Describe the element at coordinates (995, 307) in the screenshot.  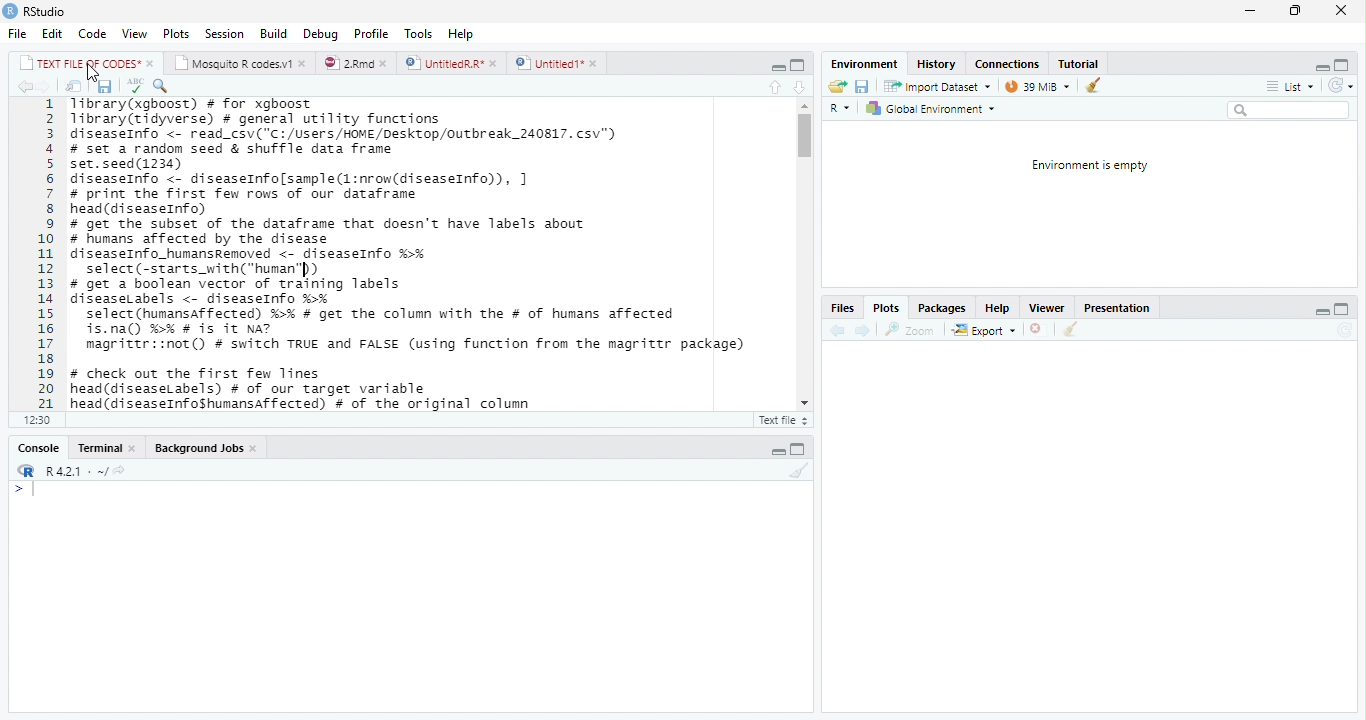
I see `Help` at that location.